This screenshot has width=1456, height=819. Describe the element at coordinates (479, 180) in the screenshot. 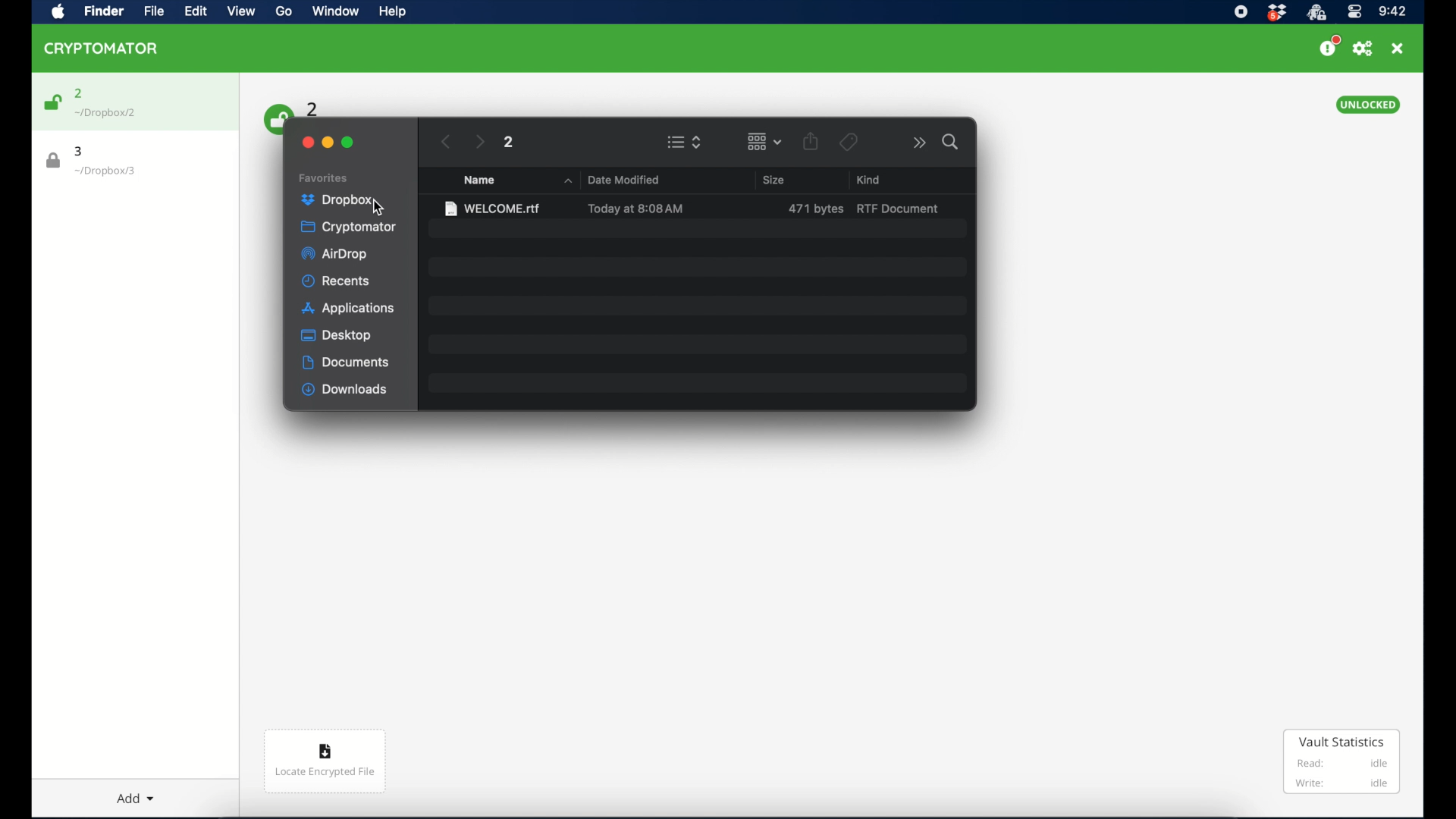

I see `name` at that location.